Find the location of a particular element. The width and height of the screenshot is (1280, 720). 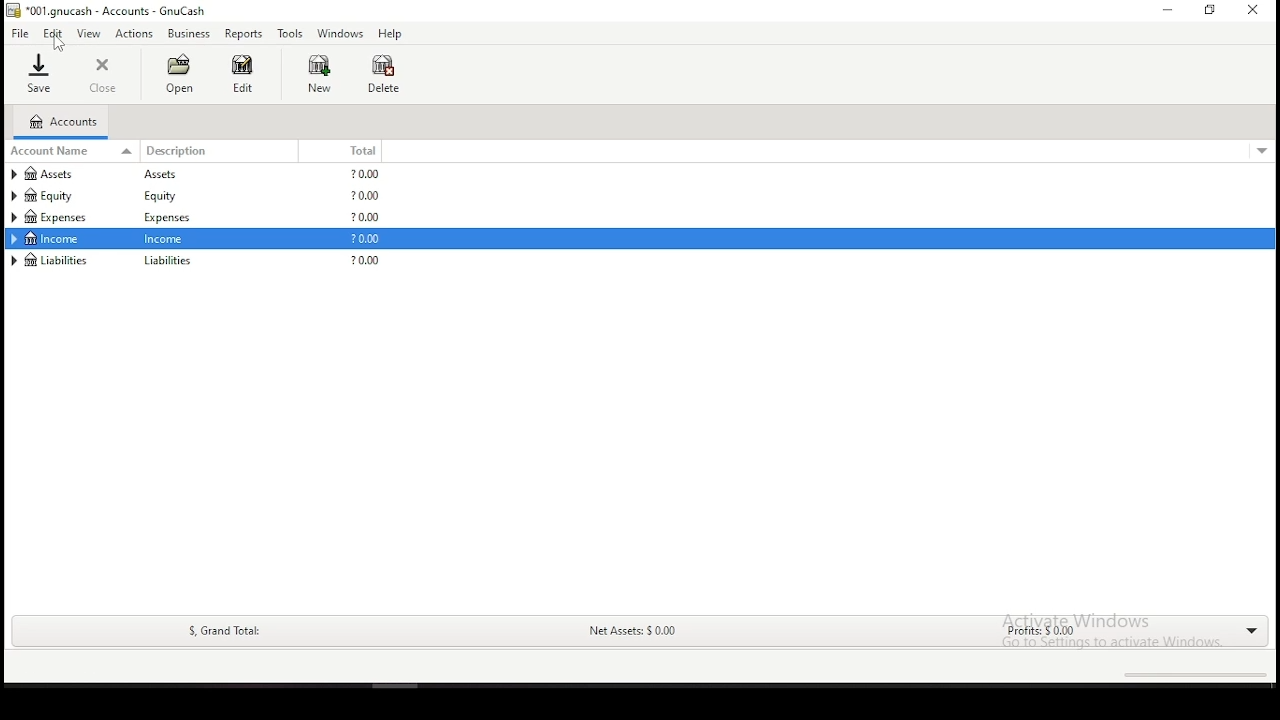

file is located at coordinates (19, 34).